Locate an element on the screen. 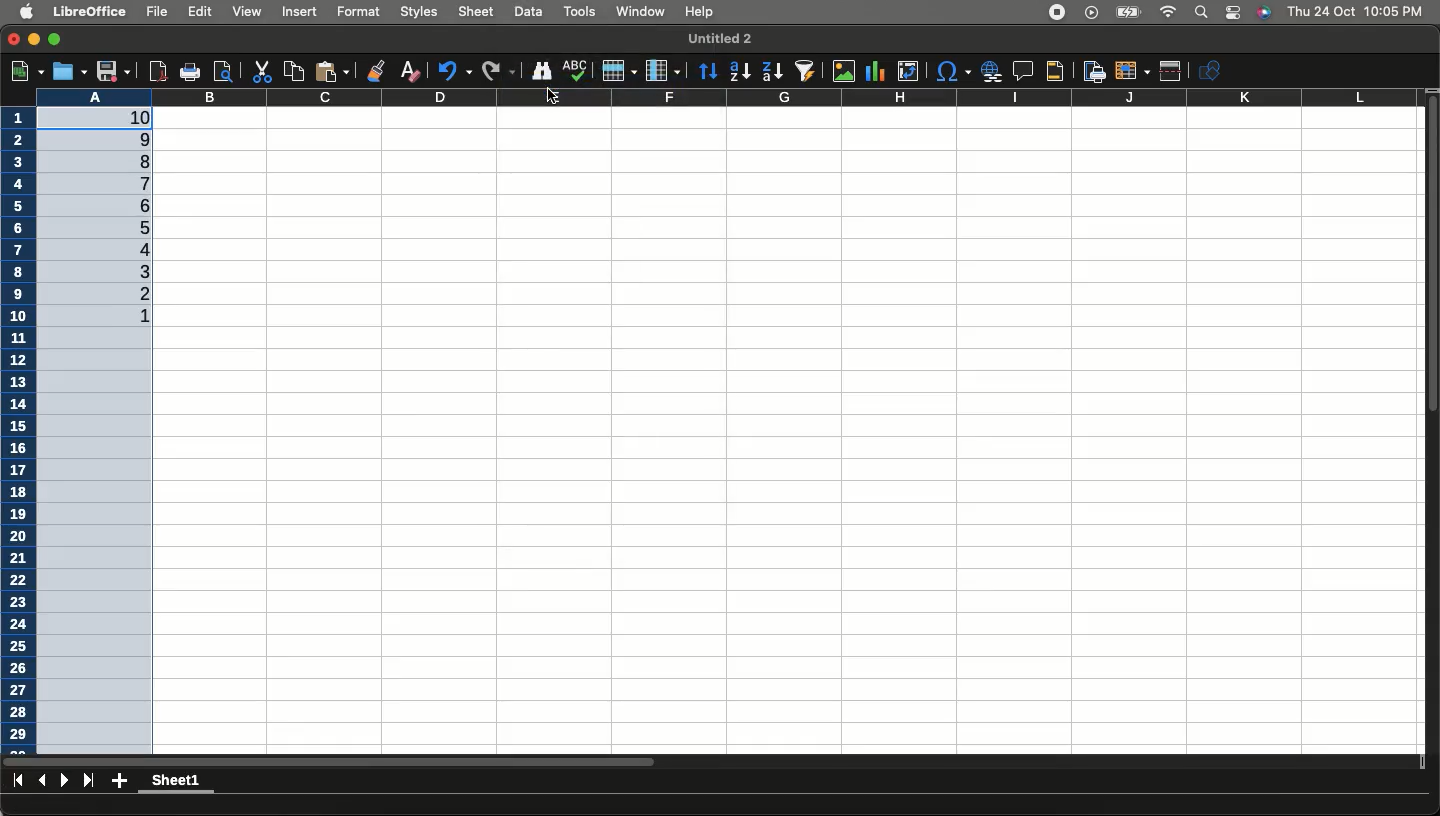 This screenshot has height=816, width=1440. Data clicked is located at coordinates (529, 12).